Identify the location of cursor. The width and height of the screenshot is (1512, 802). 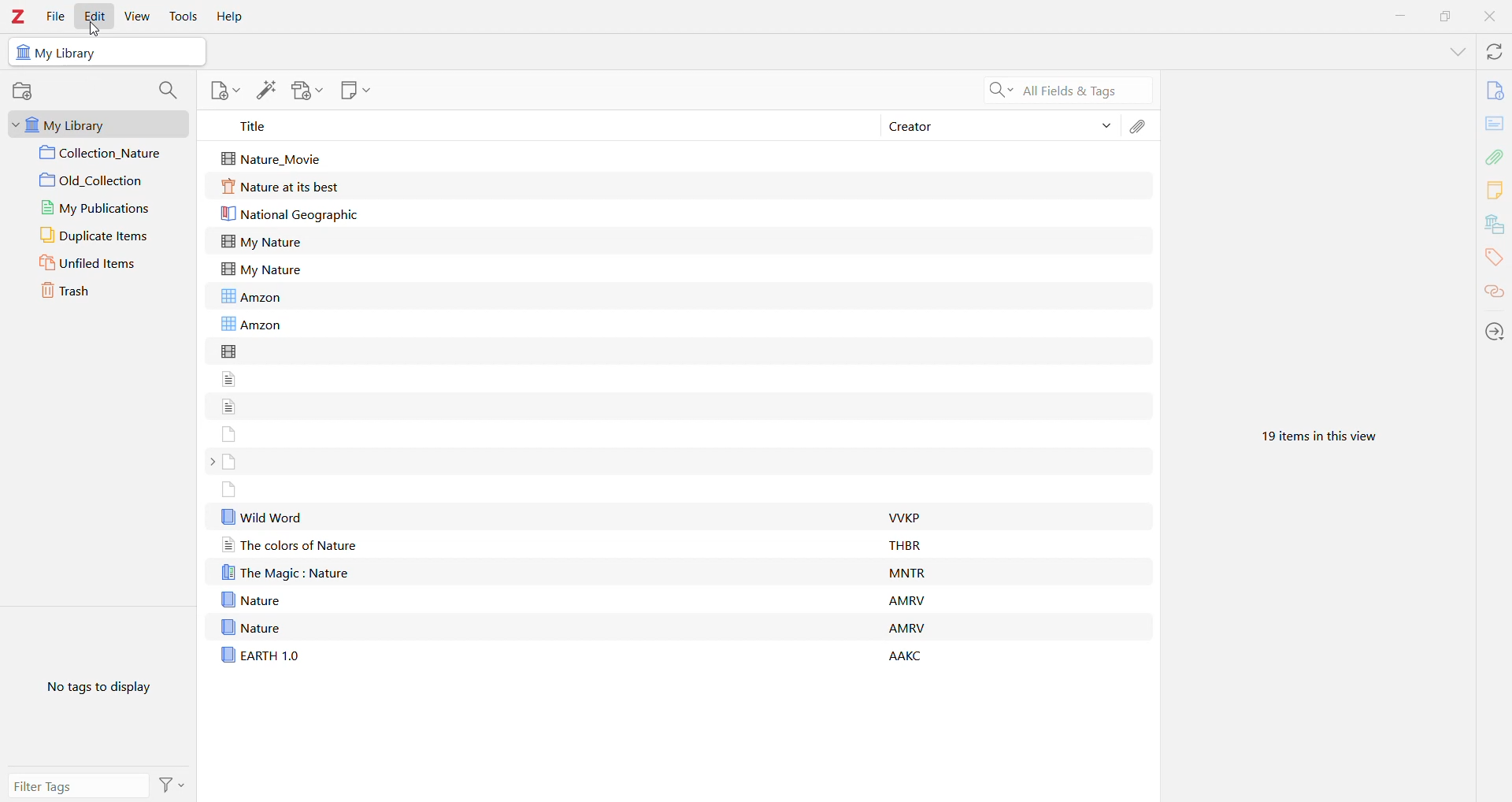
(94, 31).